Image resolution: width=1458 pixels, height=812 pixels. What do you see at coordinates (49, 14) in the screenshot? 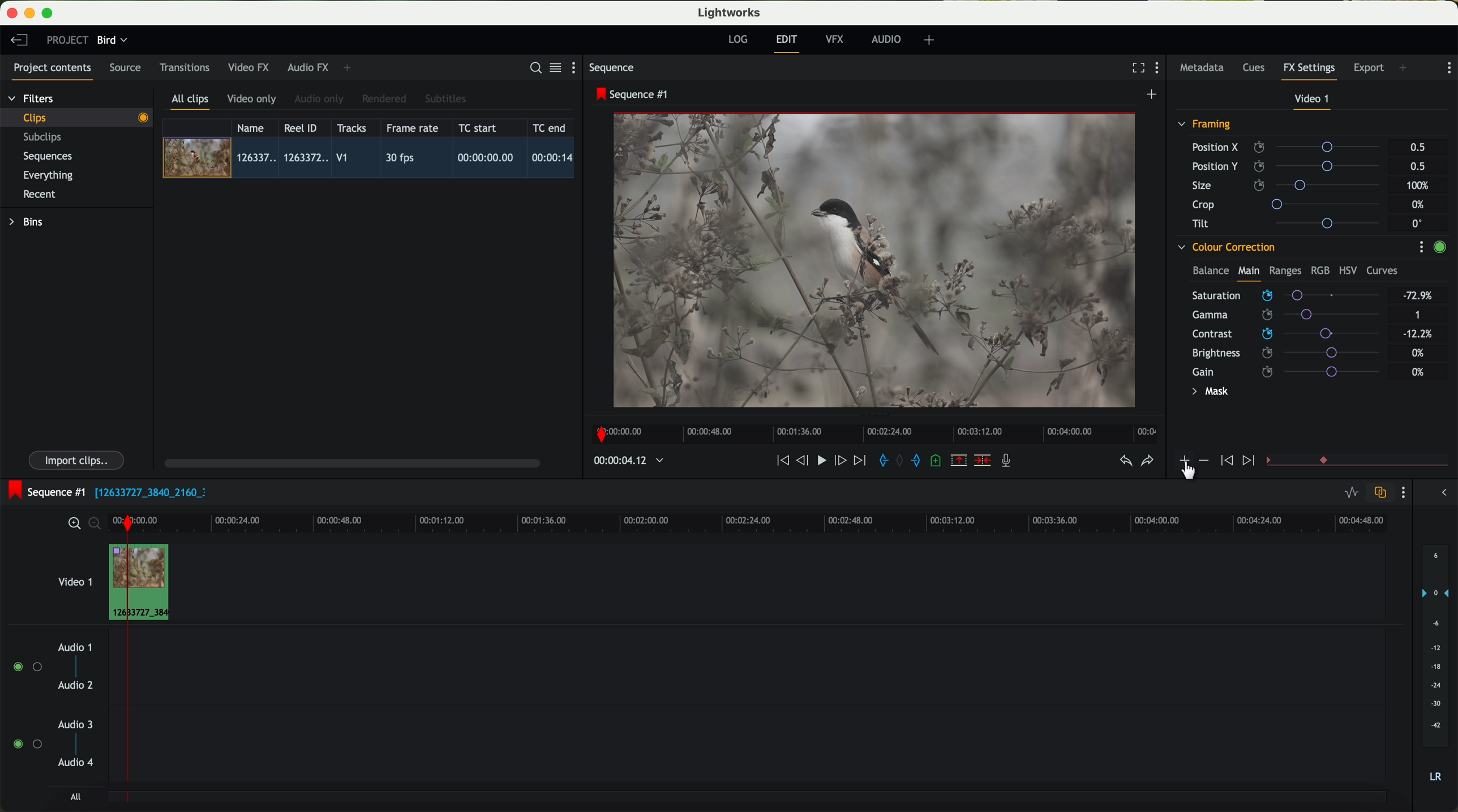
I see `maximize program` at bounding box center [49, 14].